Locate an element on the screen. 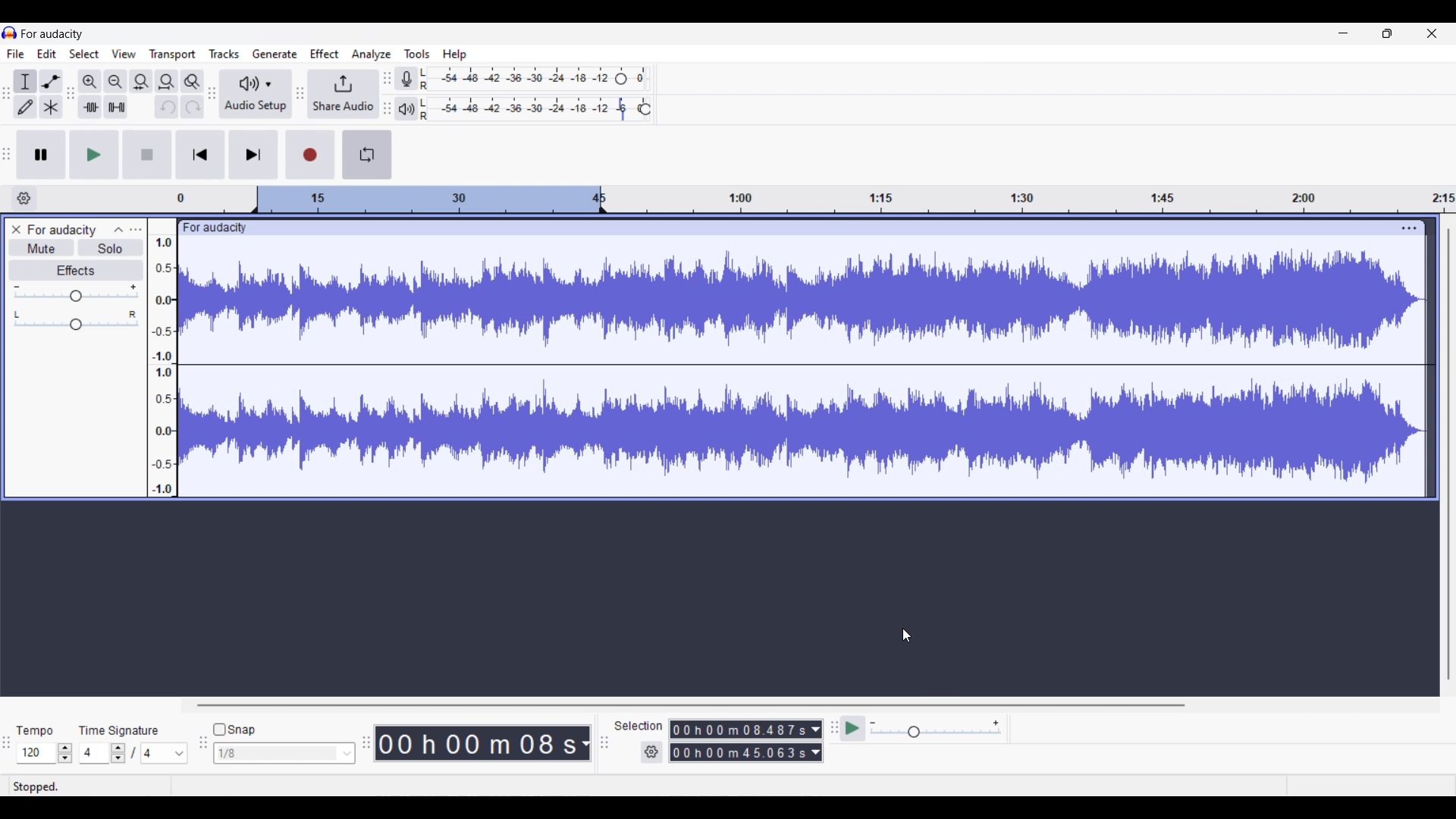  Effect menu is located at coordinates (324, 53).